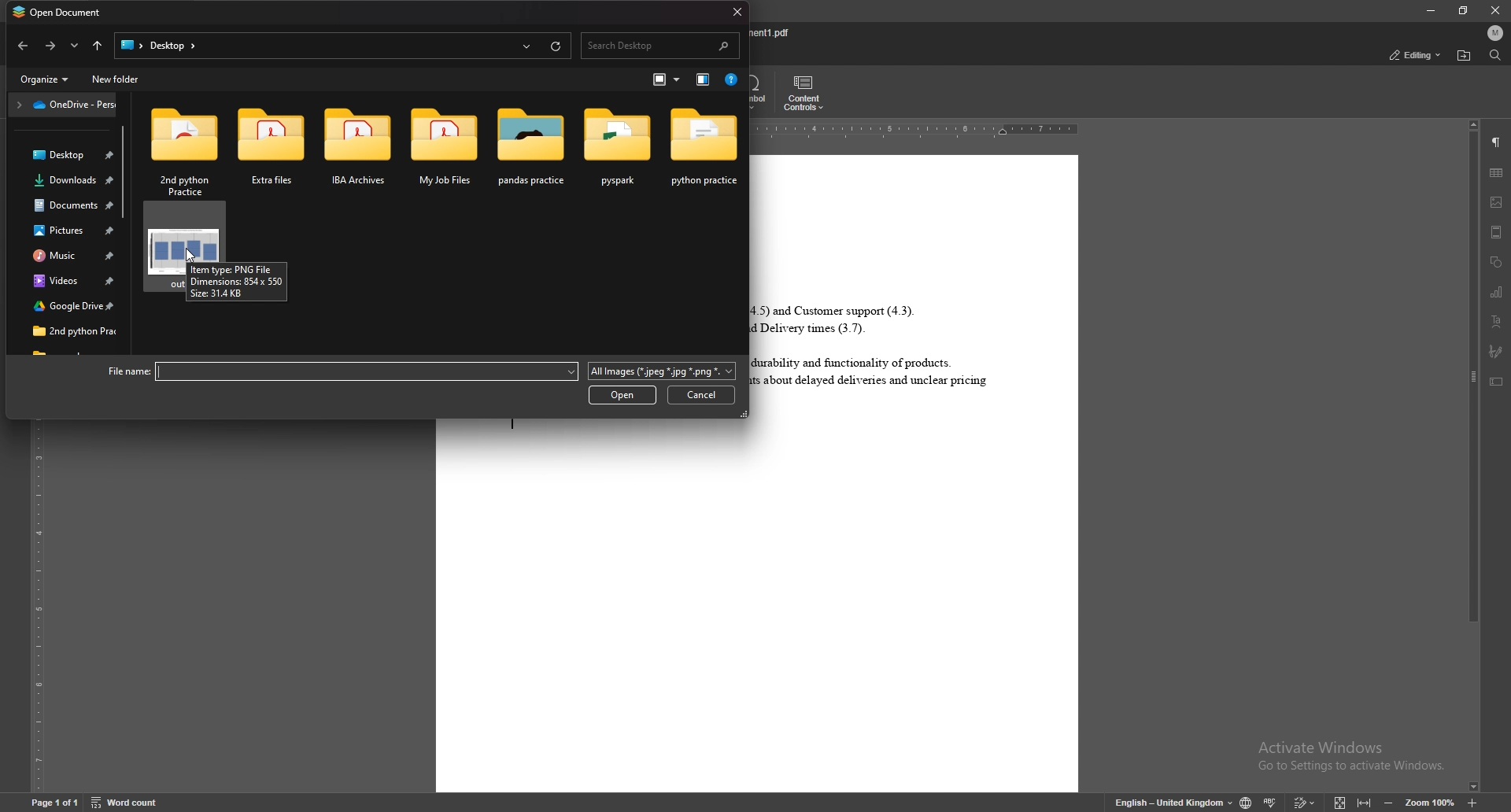  I want to click on options, so click(73, 46).